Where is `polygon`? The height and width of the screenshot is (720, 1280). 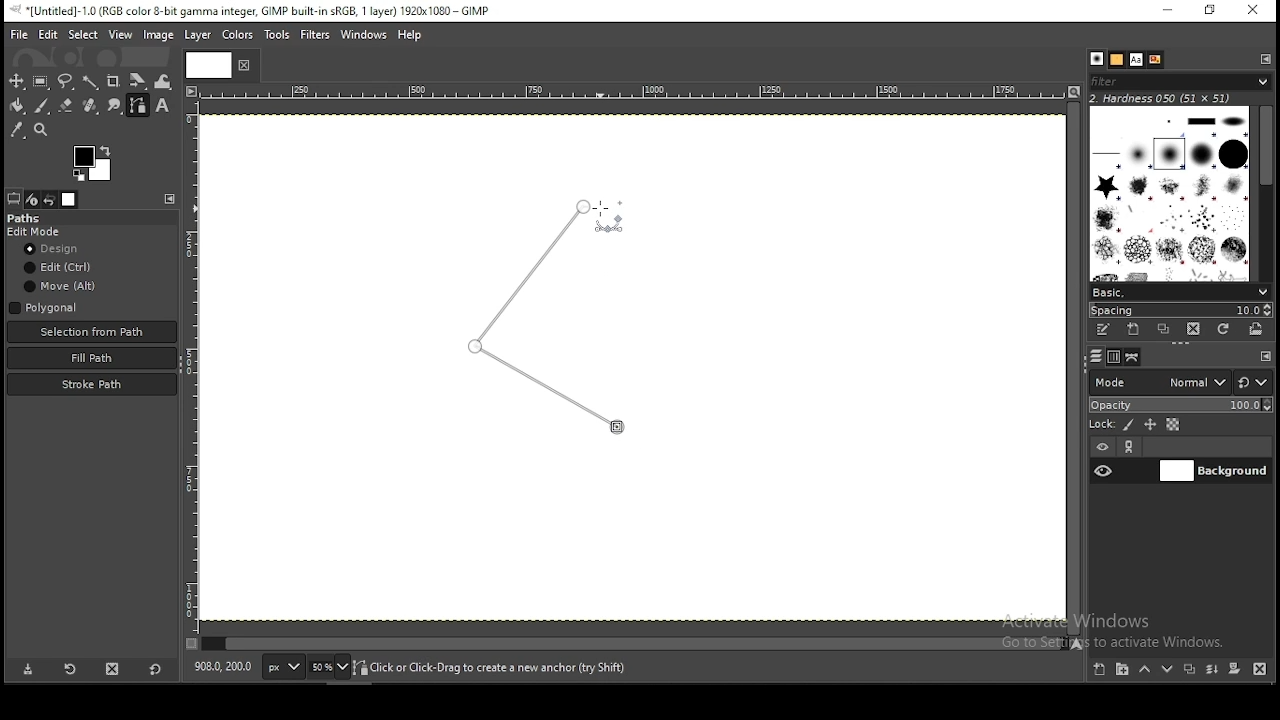 polygon is located at coordinates (45, 307).